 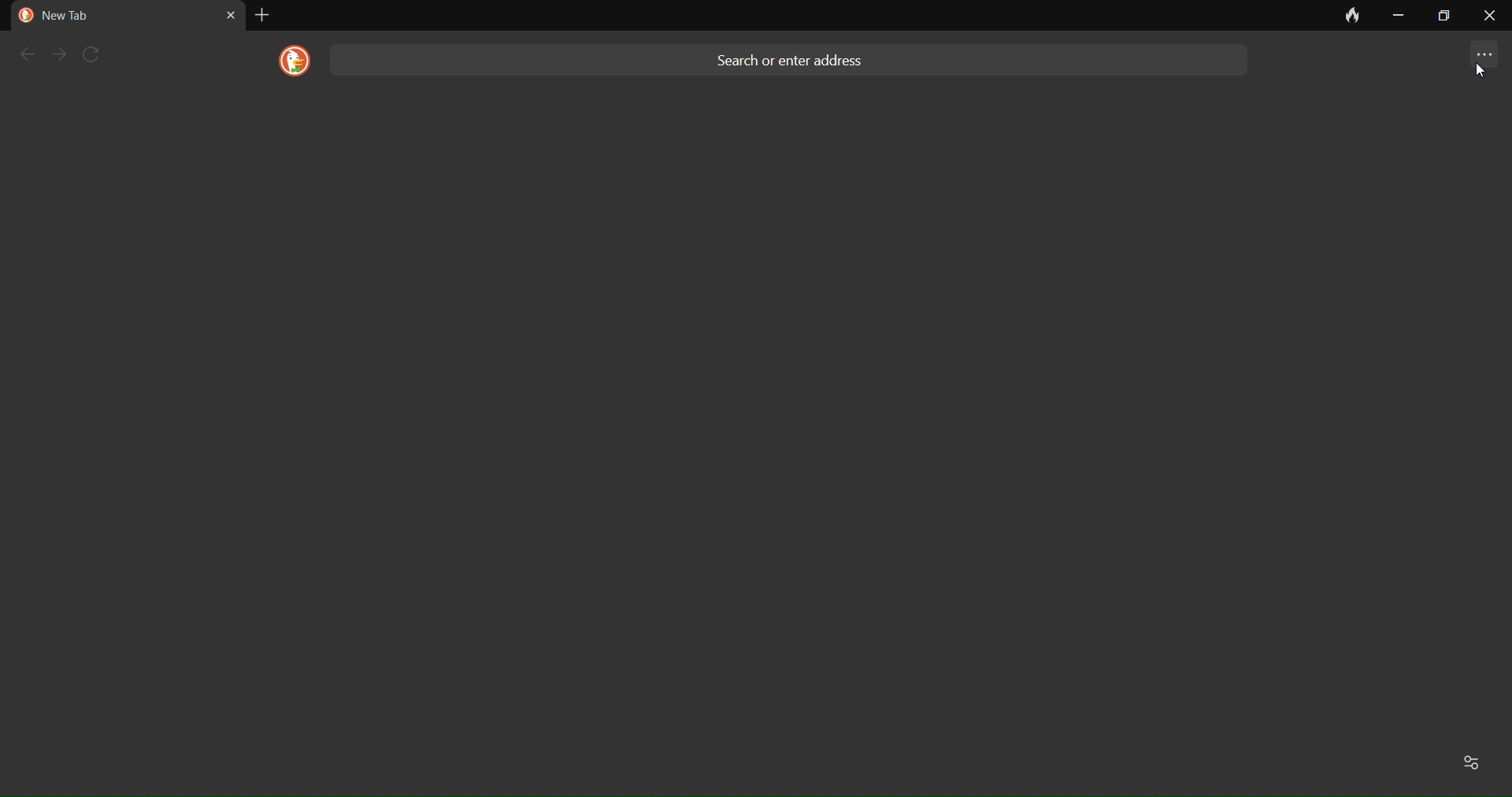 I want to click on clear data, so click(x=1345, y=20).